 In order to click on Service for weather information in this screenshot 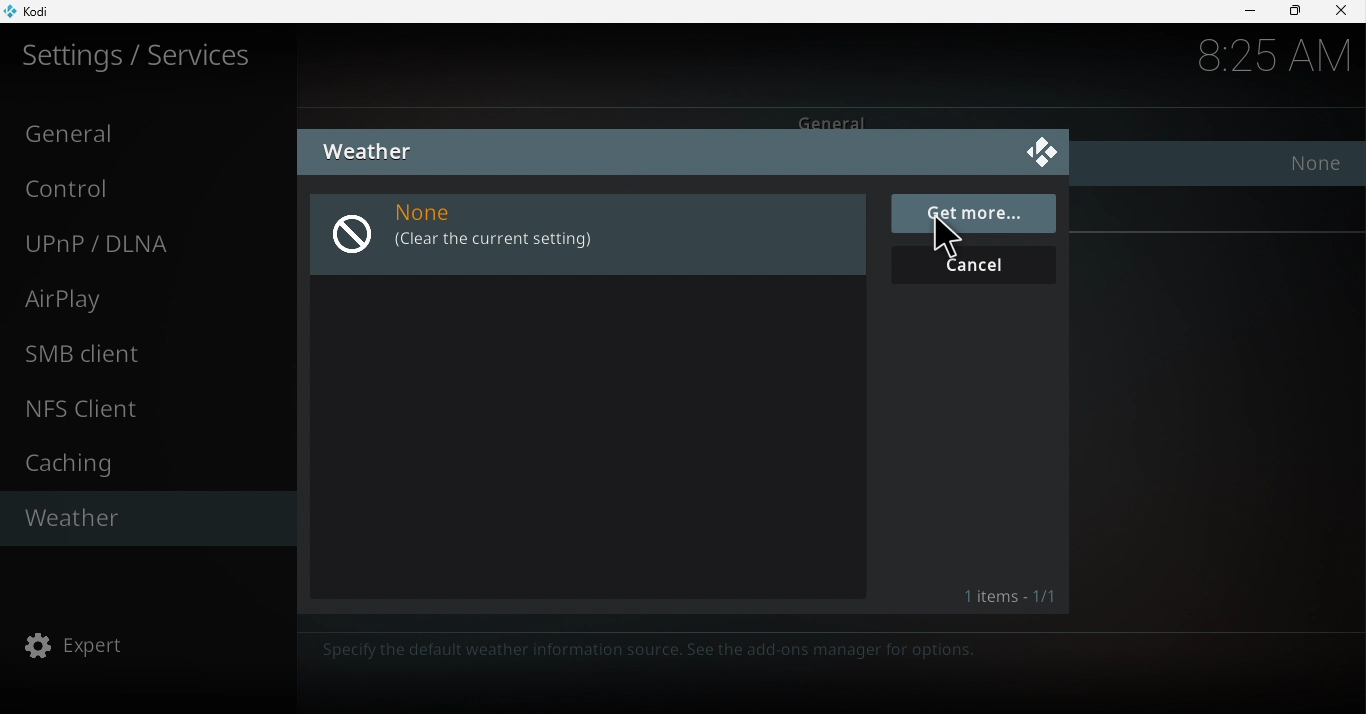, I will do `click(1229, 162)`.